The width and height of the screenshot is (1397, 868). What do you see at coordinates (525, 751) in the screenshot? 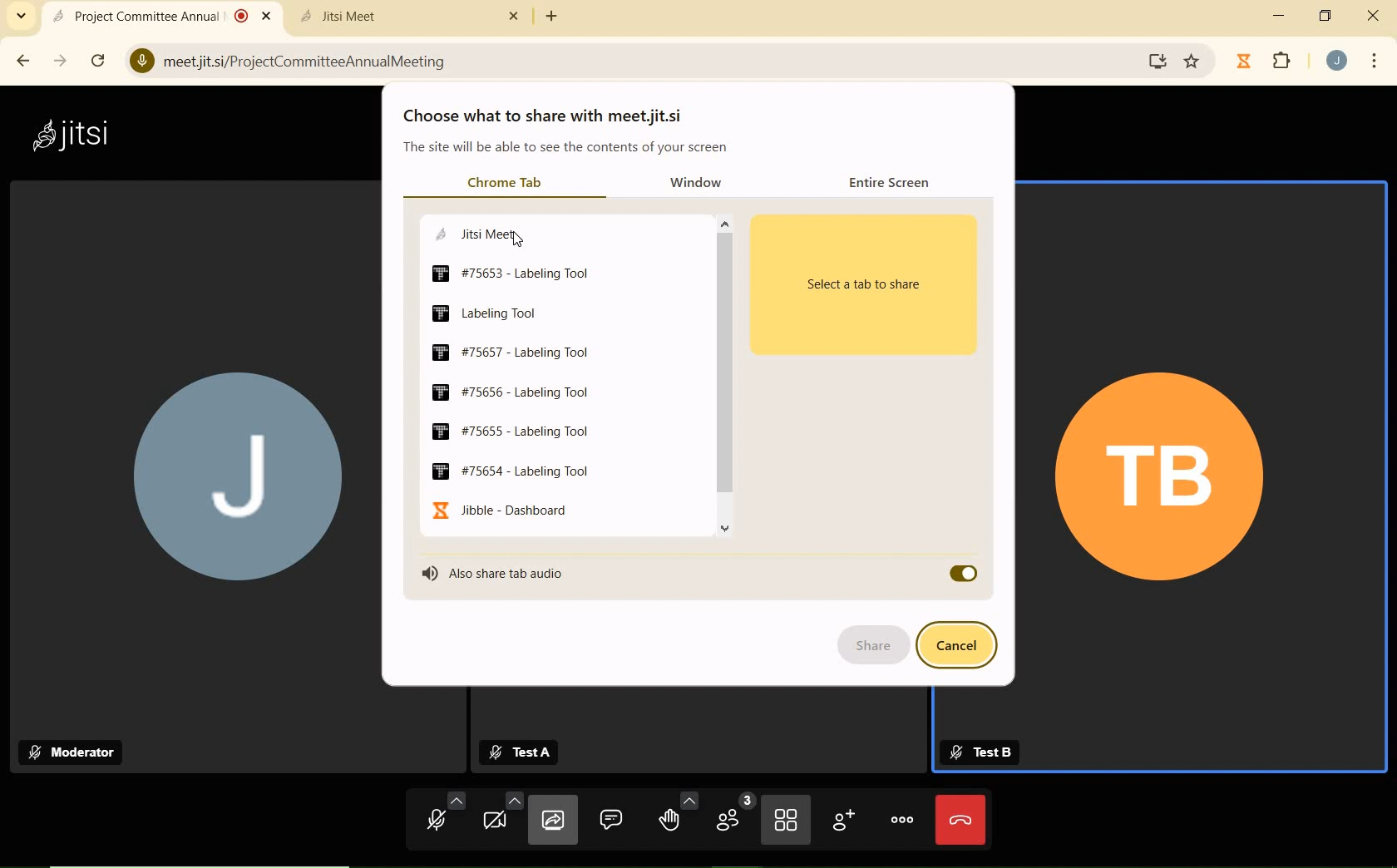
I see `Test A` at bounding box center [525, 751].